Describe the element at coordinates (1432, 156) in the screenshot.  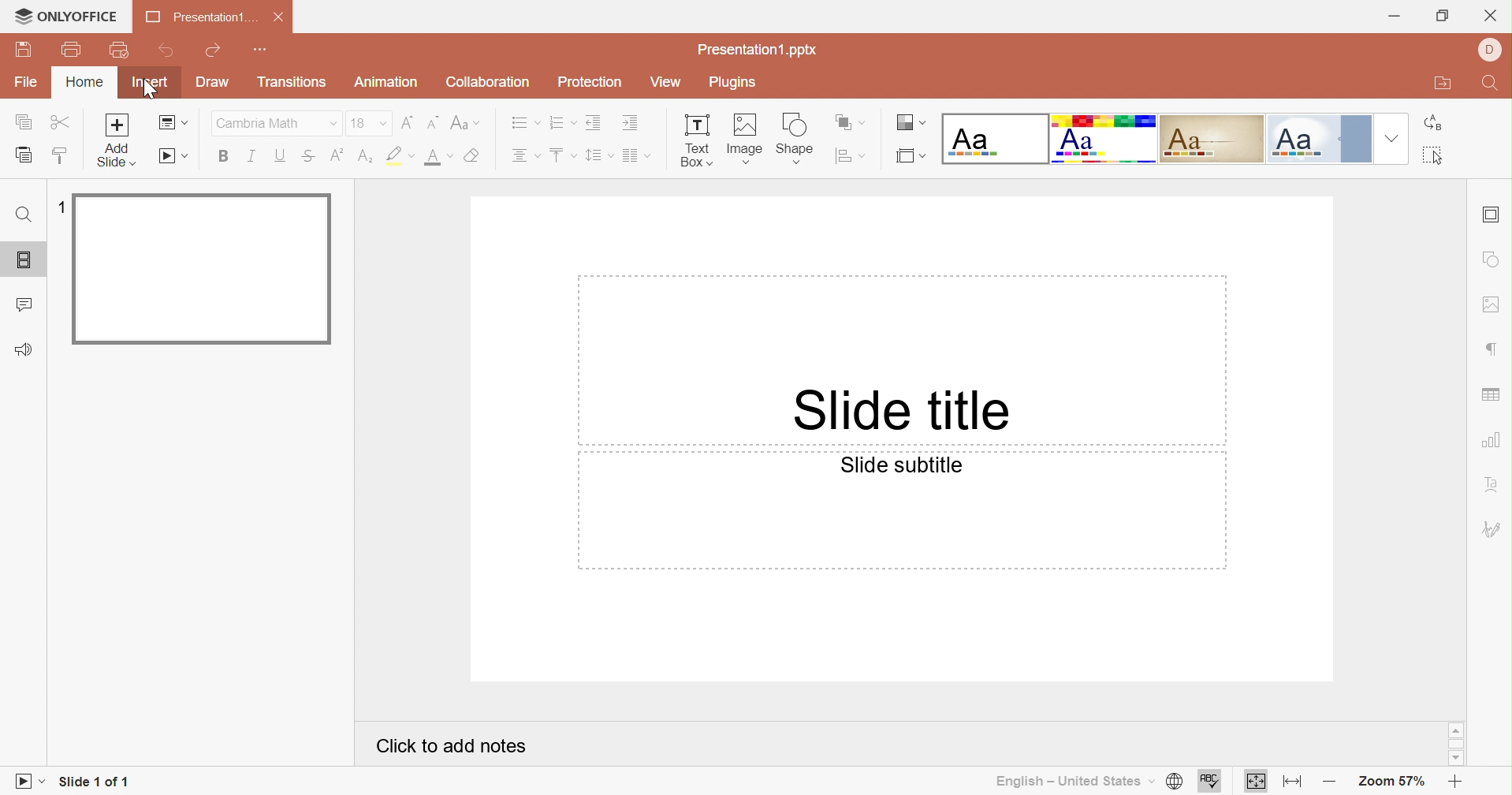
I see `Select all` at that location.